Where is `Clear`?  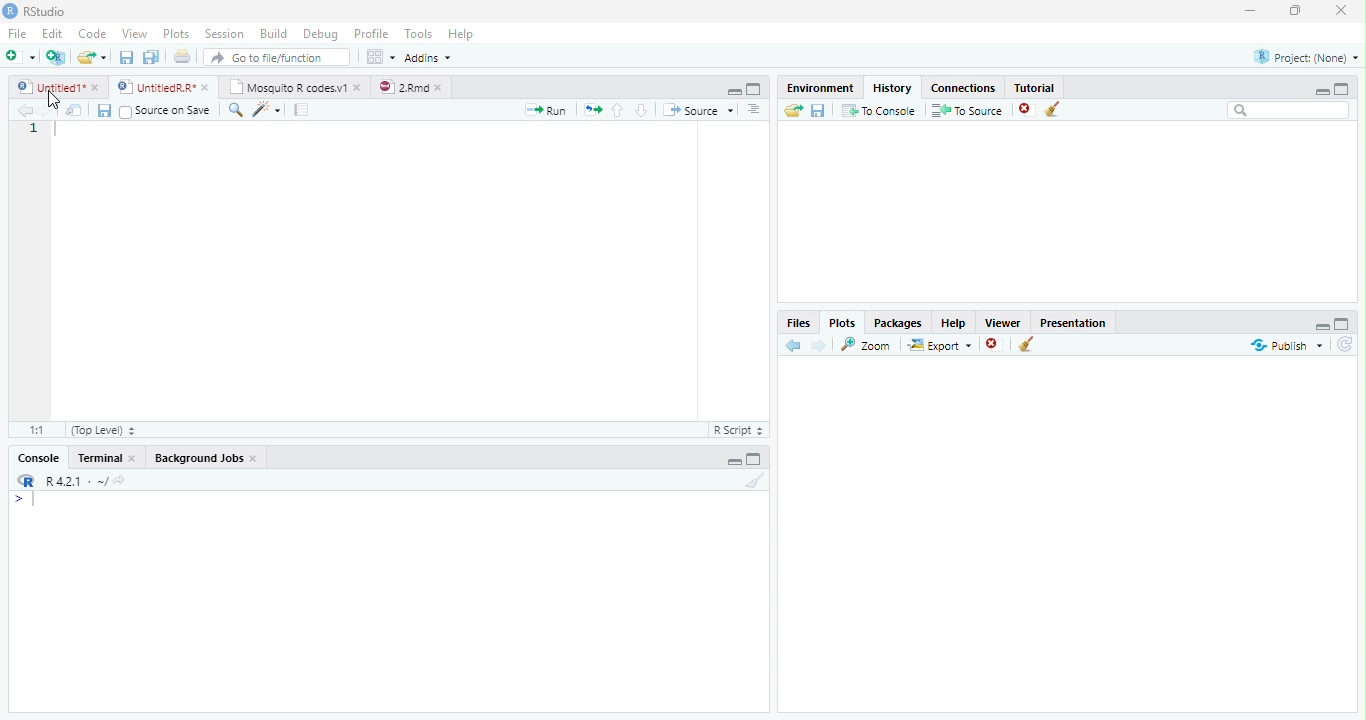 Clear is located at coordinates (1053, 109).